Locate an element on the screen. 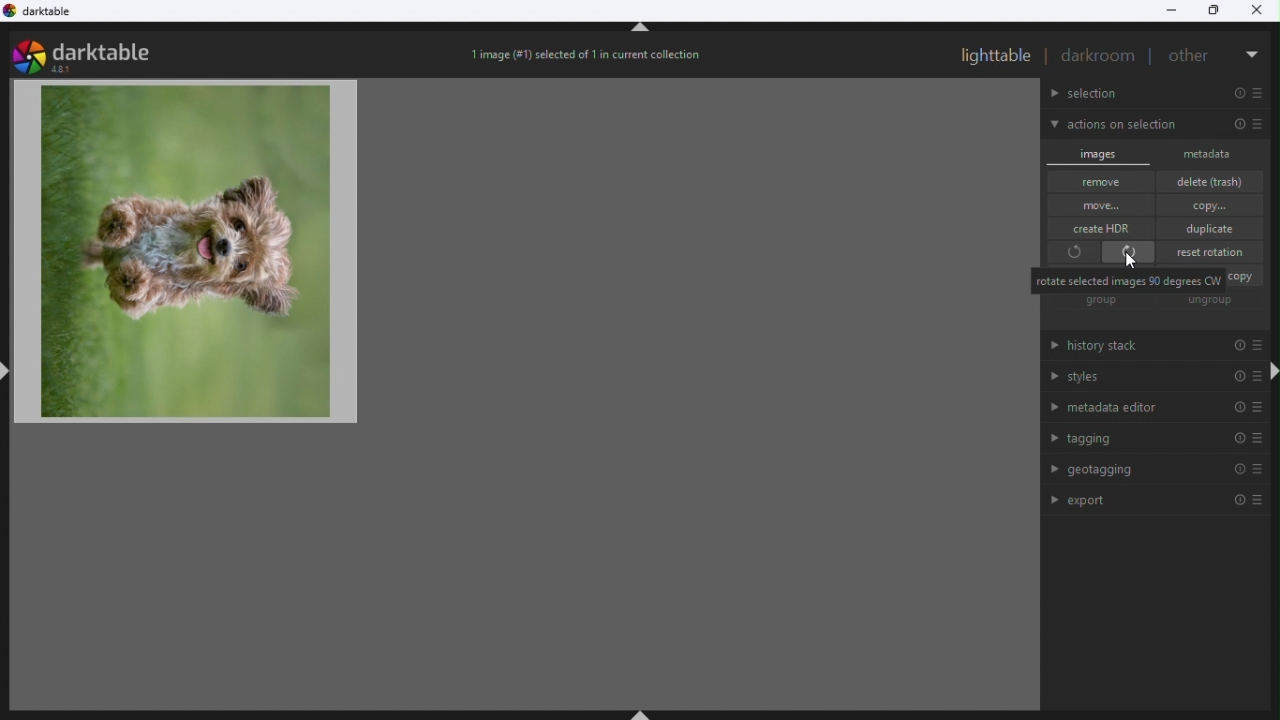 The width and height of the screenshot is (1280, 720). shift+ctrl+b is located at coordinates (644, 712).